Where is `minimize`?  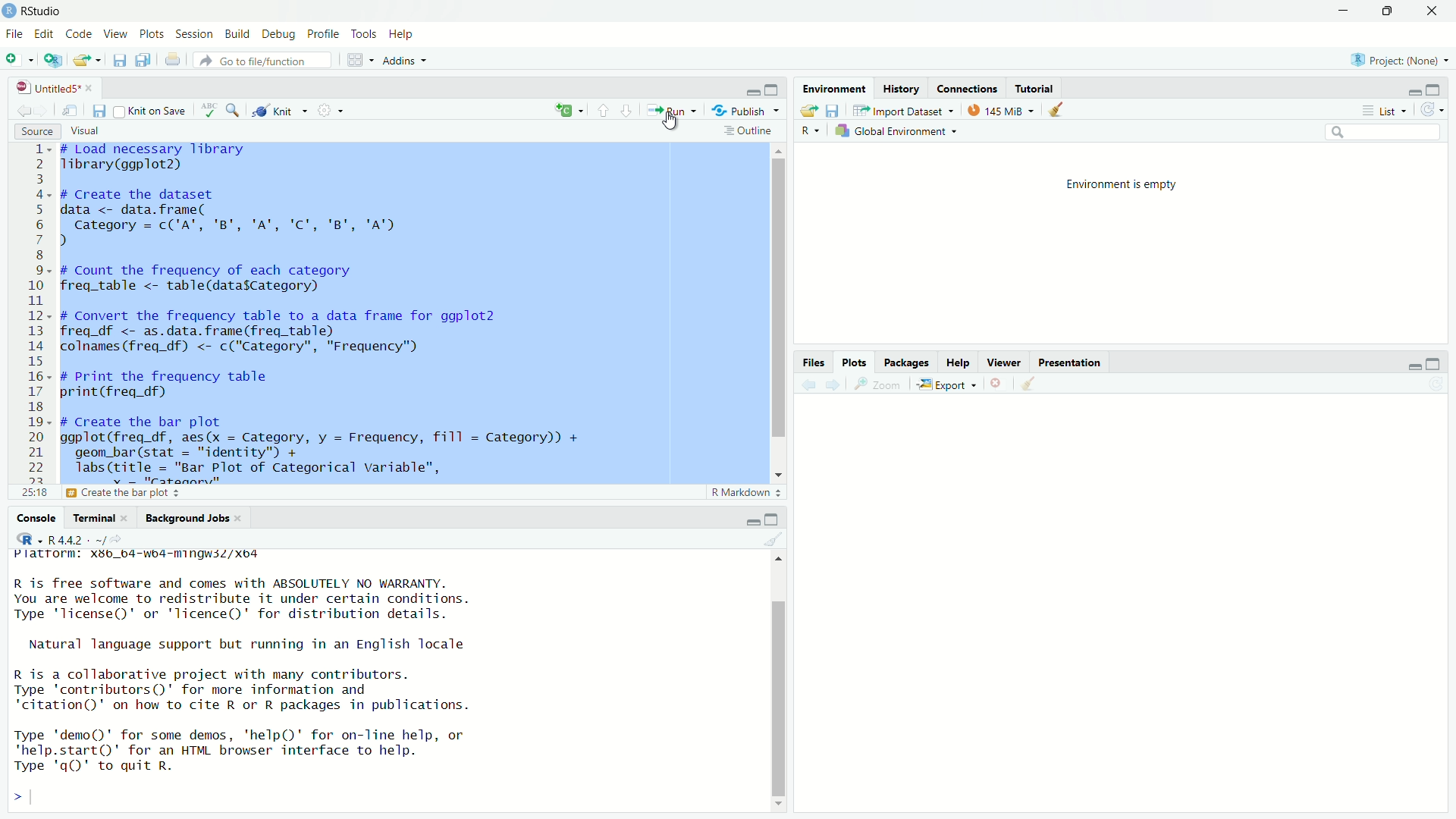 minimize is located at coordinates (1345, 11).